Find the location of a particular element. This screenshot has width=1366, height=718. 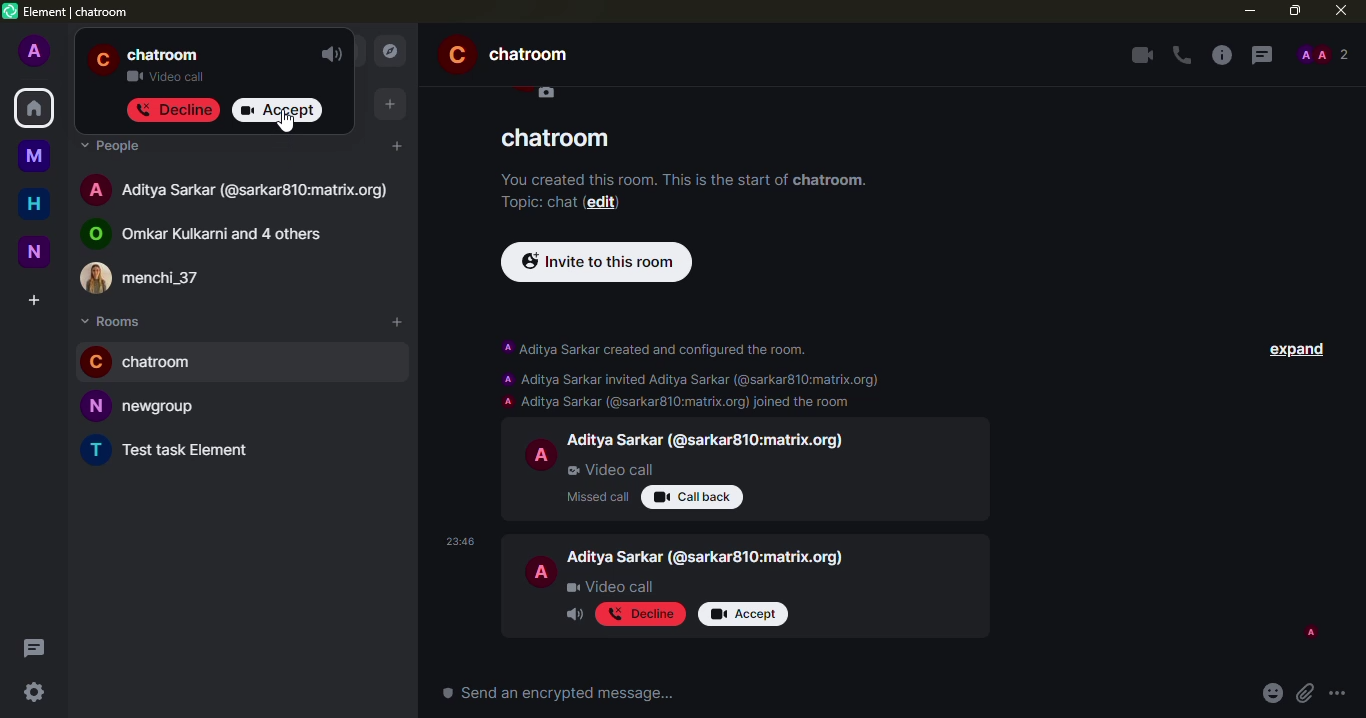

profile is located at coordinates (35, 52).